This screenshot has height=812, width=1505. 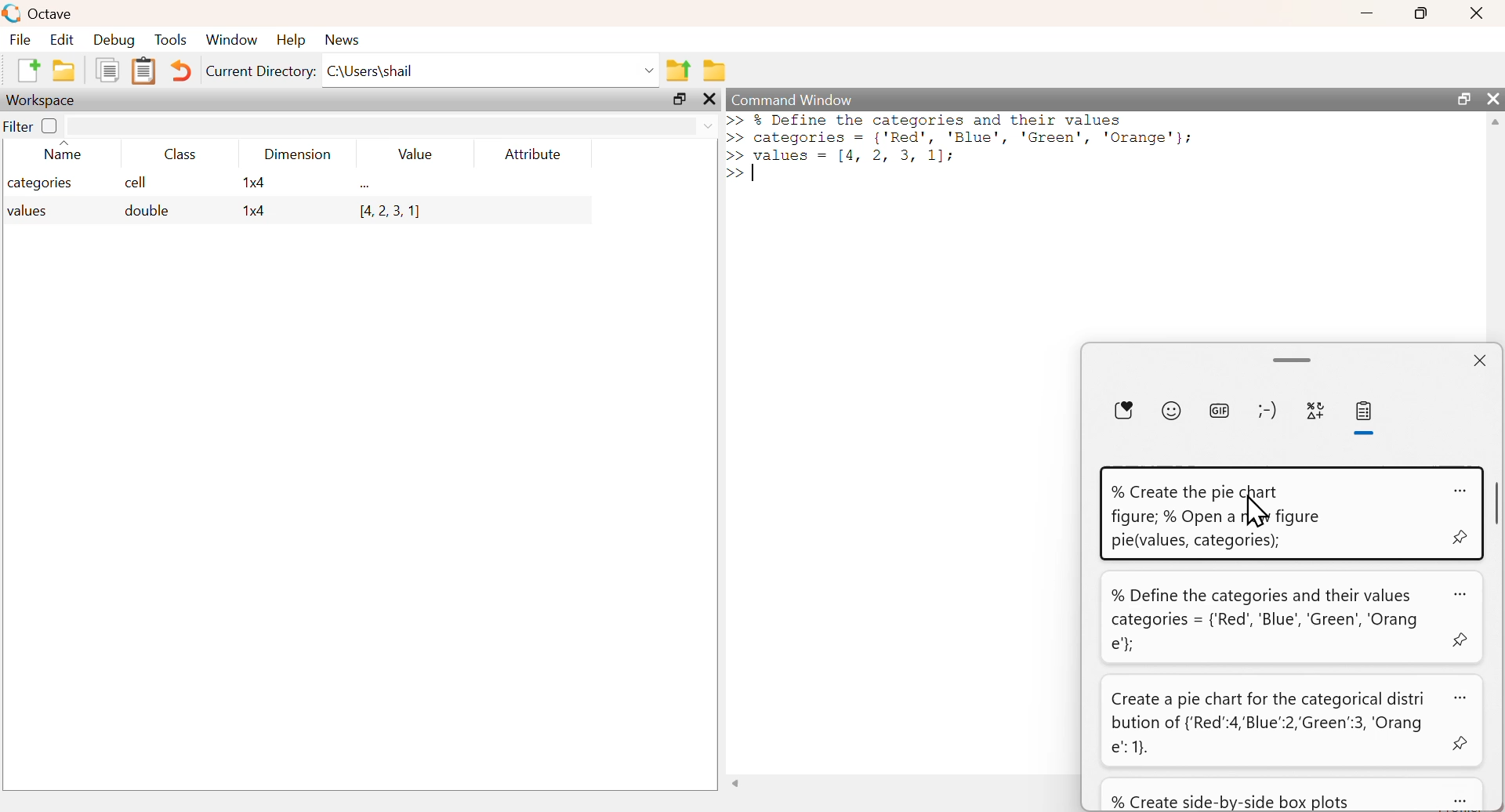 What do you see at coordinates (1492, 97) in the screenshot?
I see `close` at bounding box center [1492, 97].